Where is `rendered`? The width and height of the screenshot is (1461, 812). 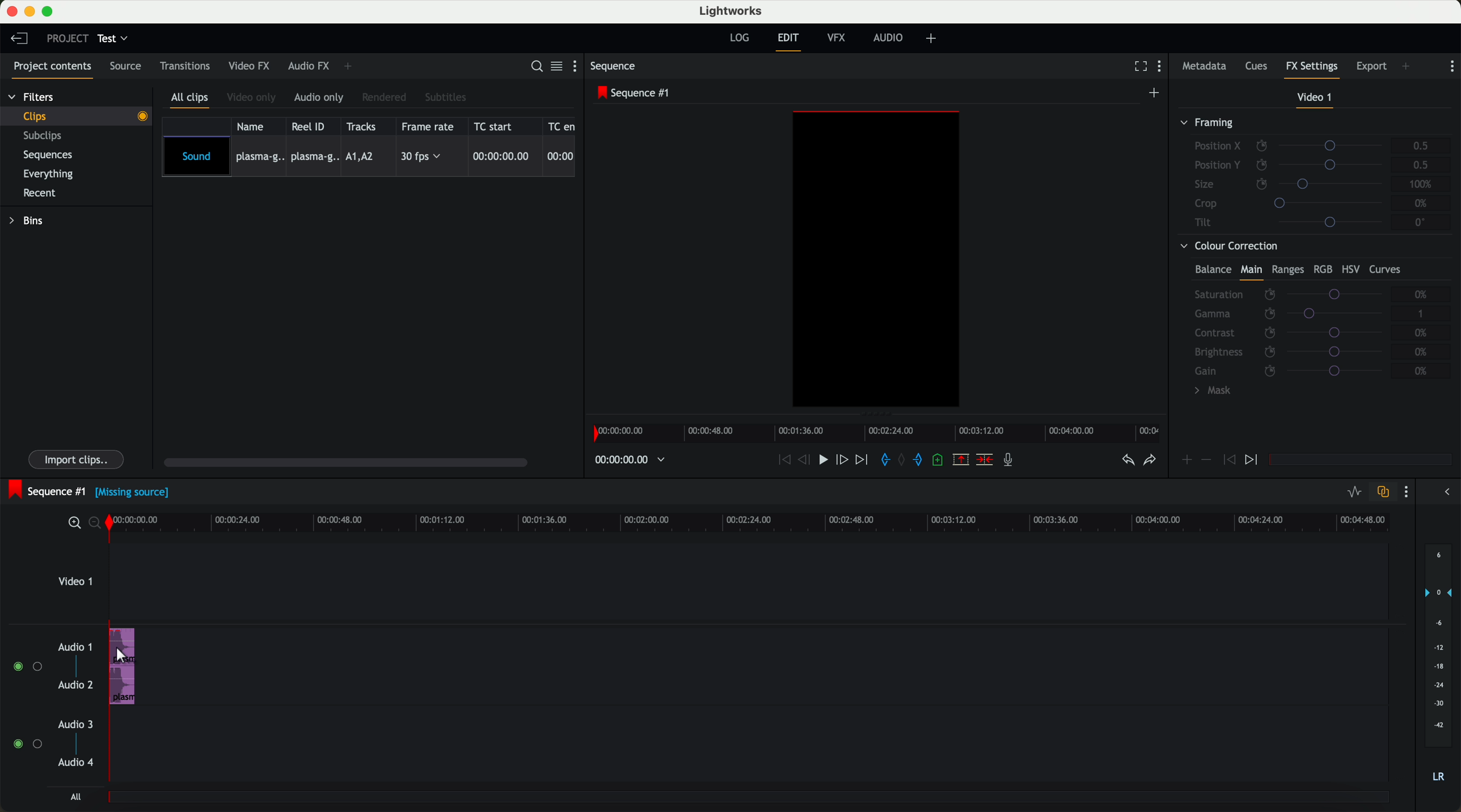 rendered is located at coordinates (386, 97).